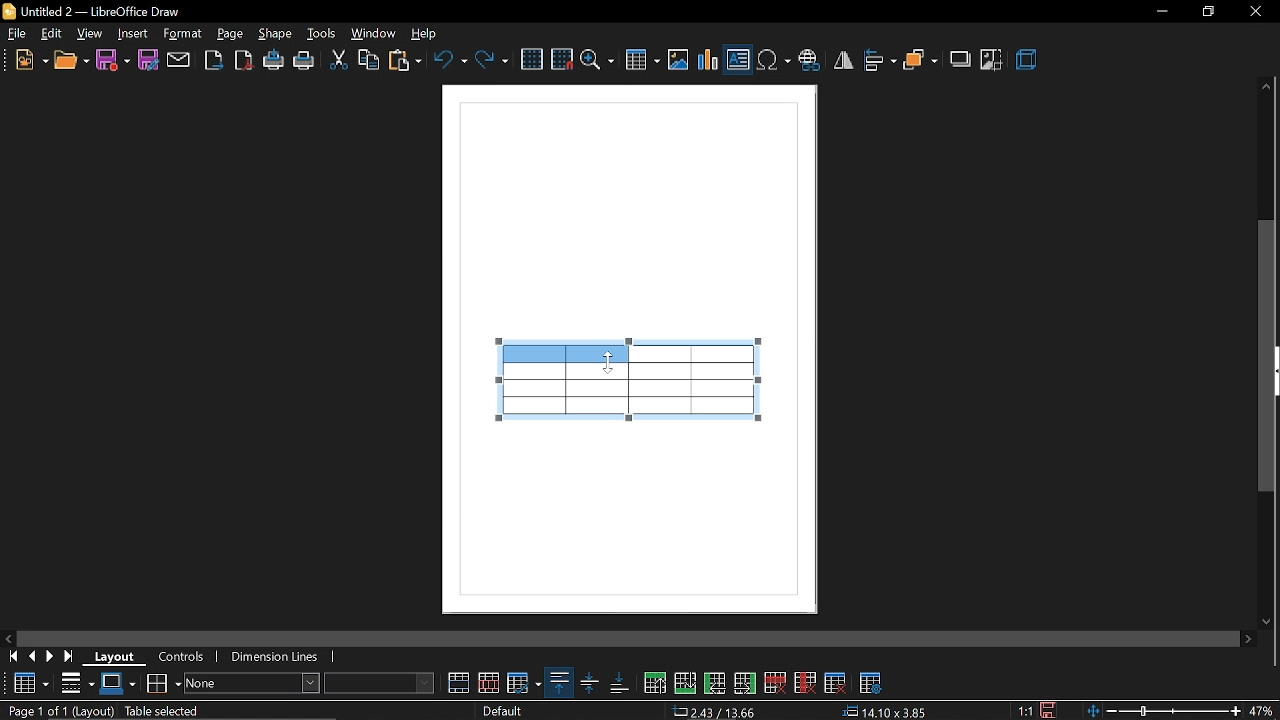  What do you see at coordinates (179, 60) in the screenshot?
I see `attach` at bounding box center [179, 60].